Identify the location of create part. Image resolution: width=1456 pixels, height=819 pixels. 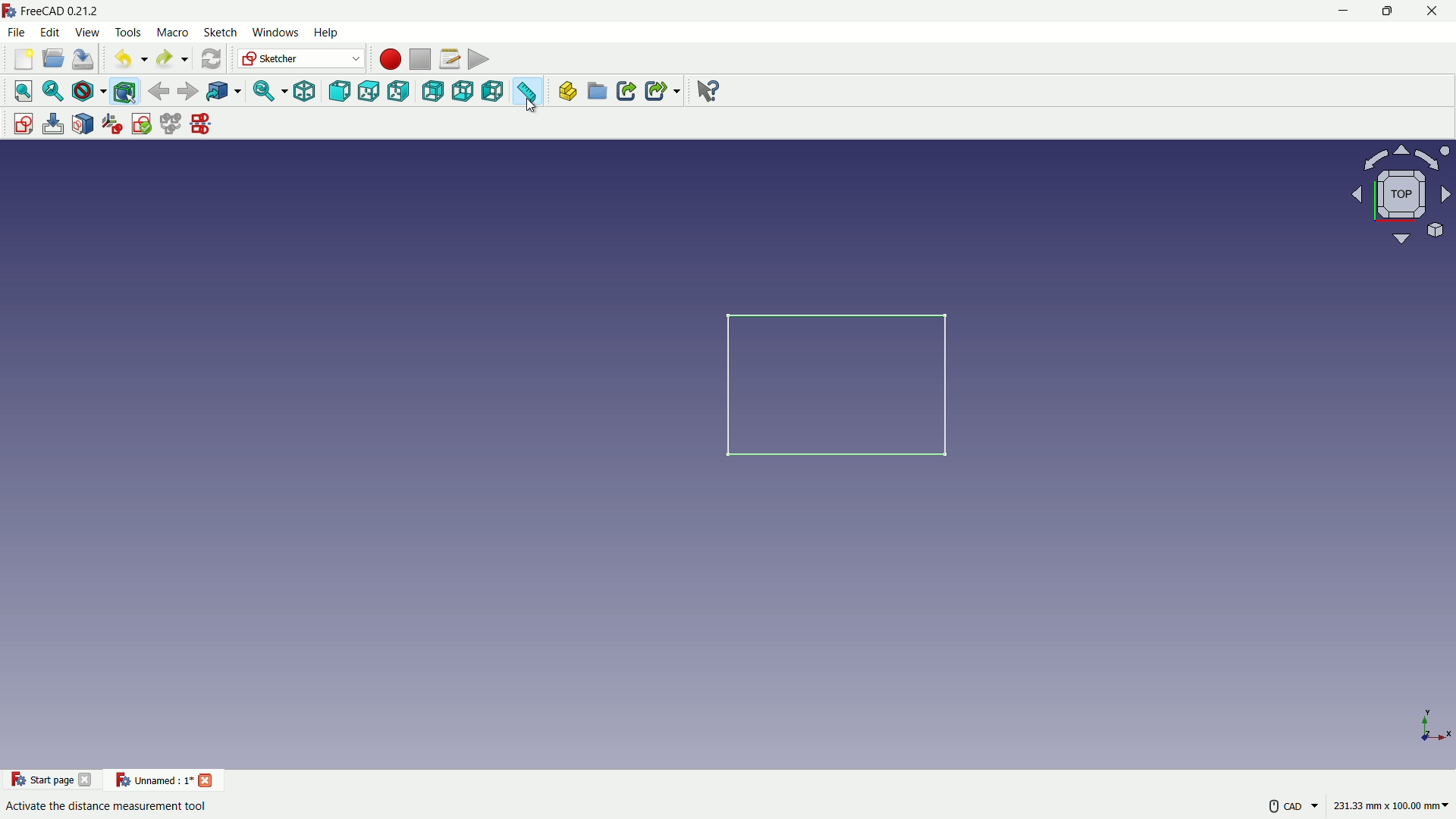
(564, 93).